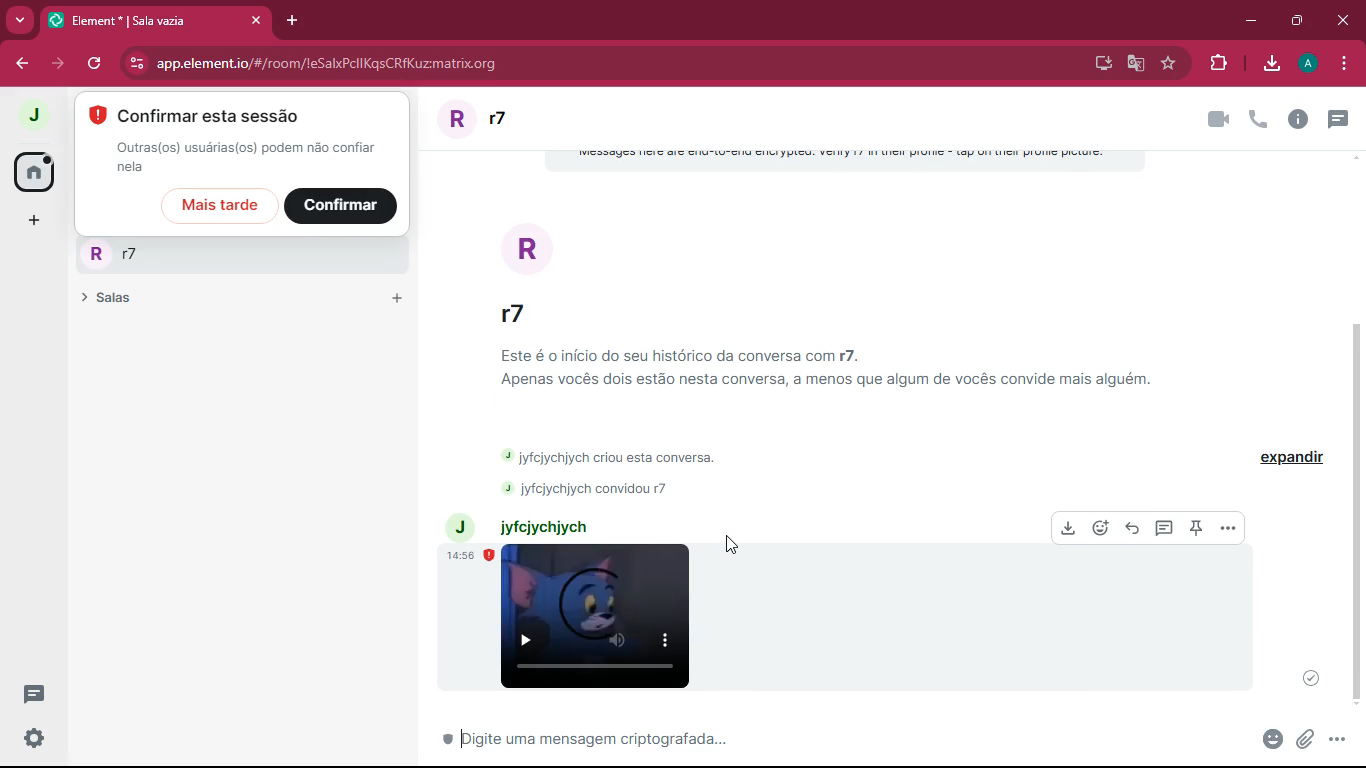  What do you see at coordinates (1340, 64) in the screenshot?
I see `menu` at bounding box center [1340, 64].